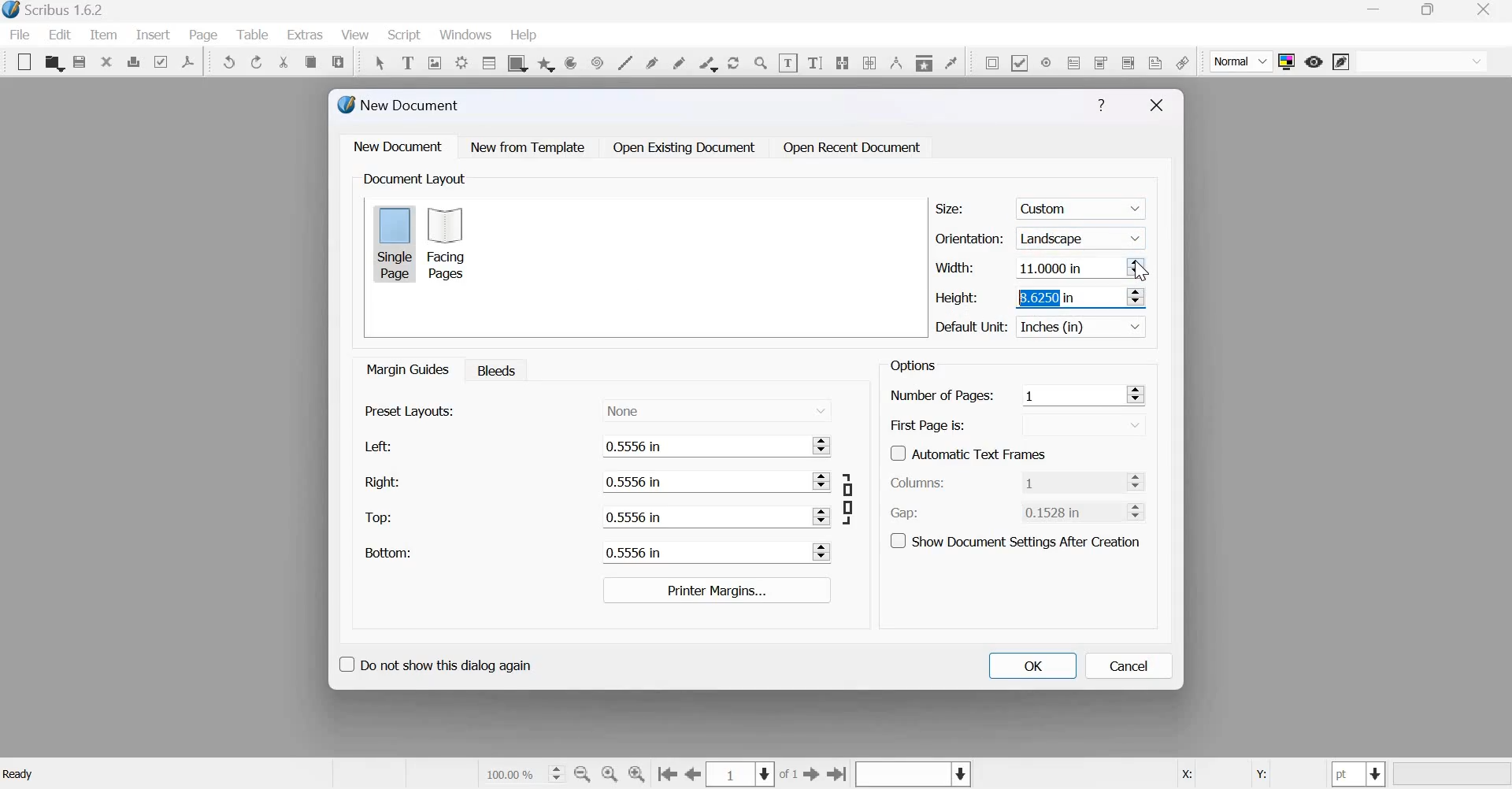 The image size is (1512, 789). Describe the element at coordinates (380, 518) in the screenshot. I see `Top:` at that location.